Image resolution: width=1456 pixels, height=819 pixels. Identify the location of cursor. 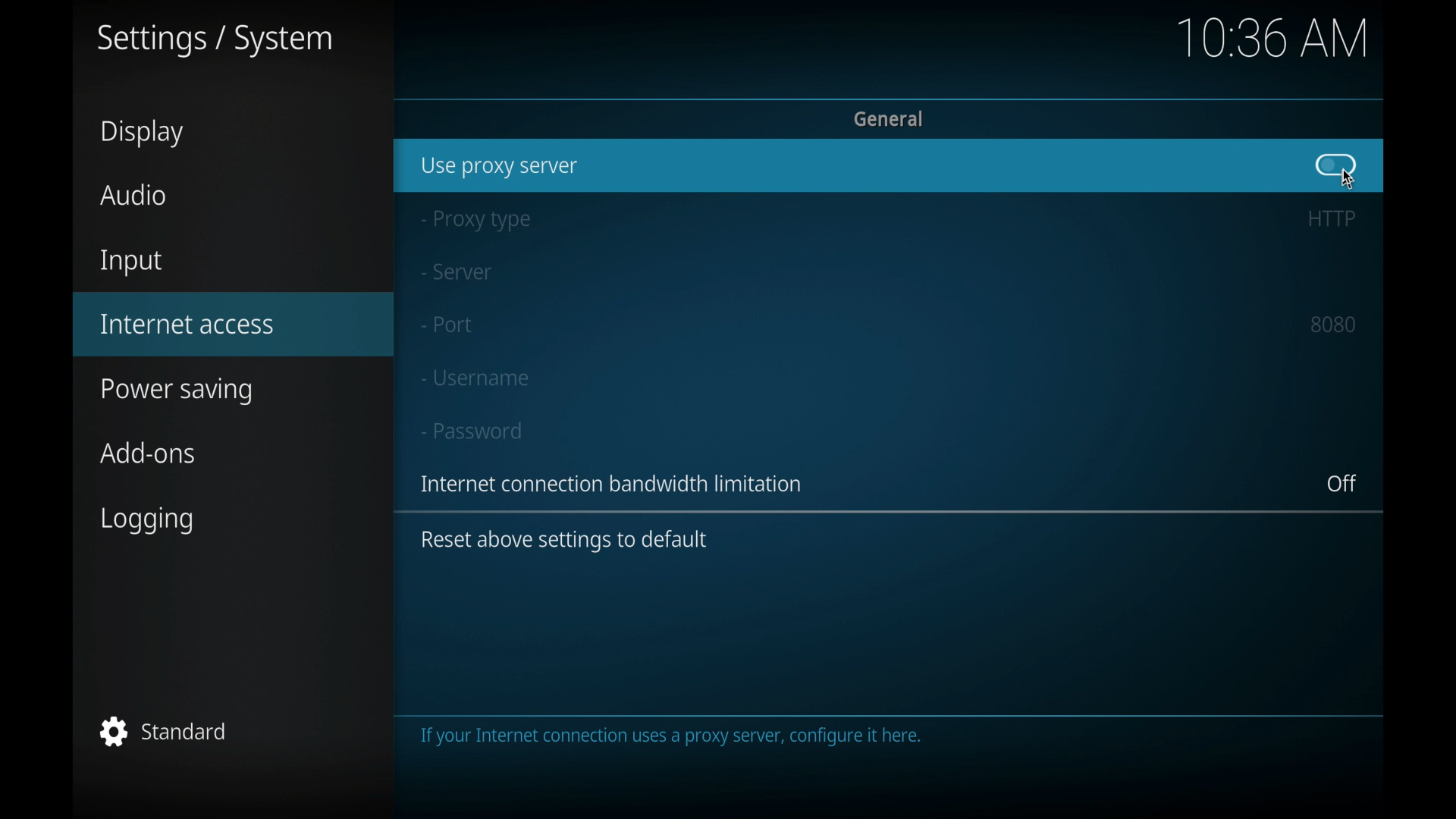
(1350, 179).